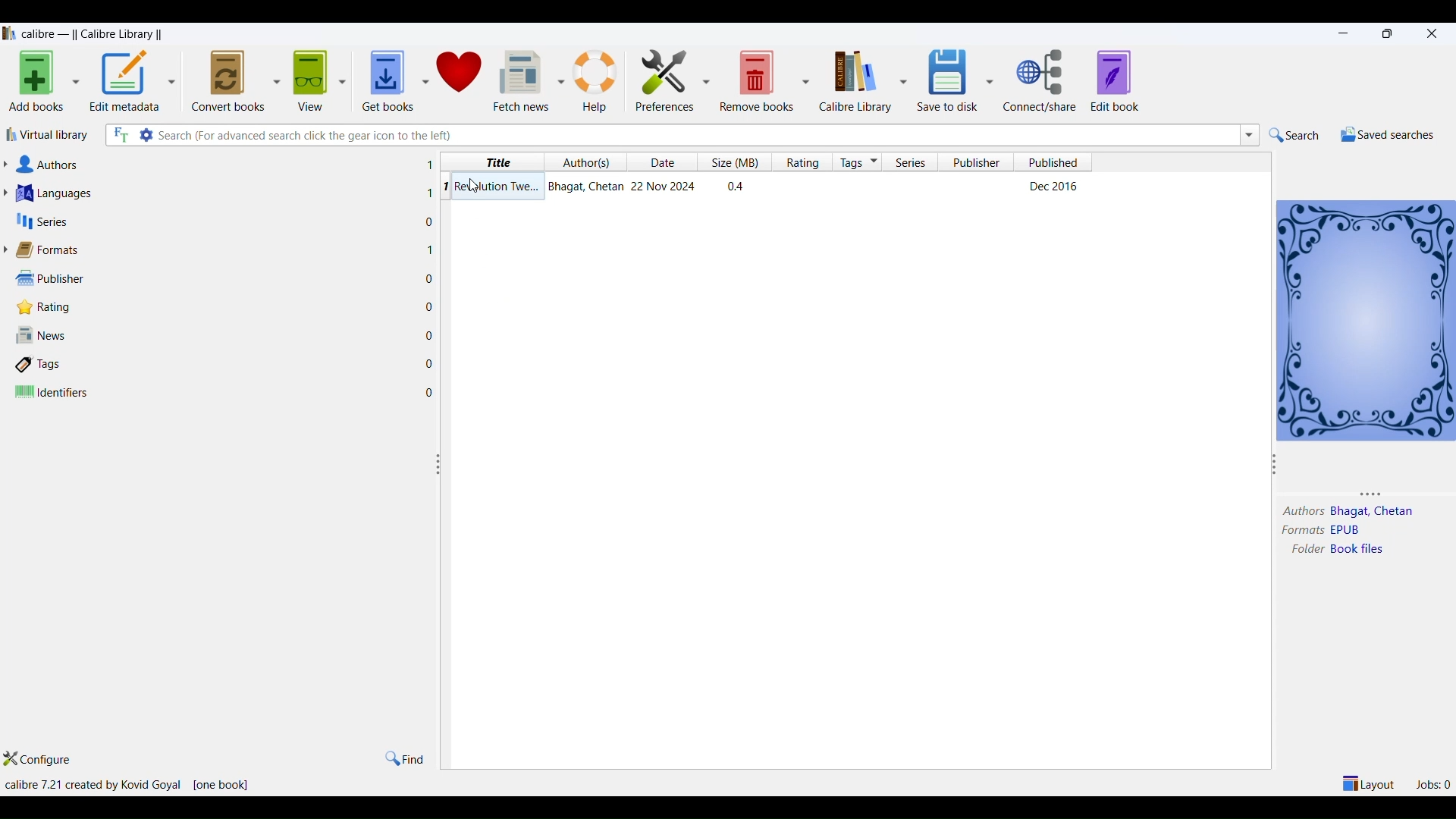  What do you see at coordinates (146, 135) in the screenshot?
I see `search settings ` at bounding box center [146, 135].